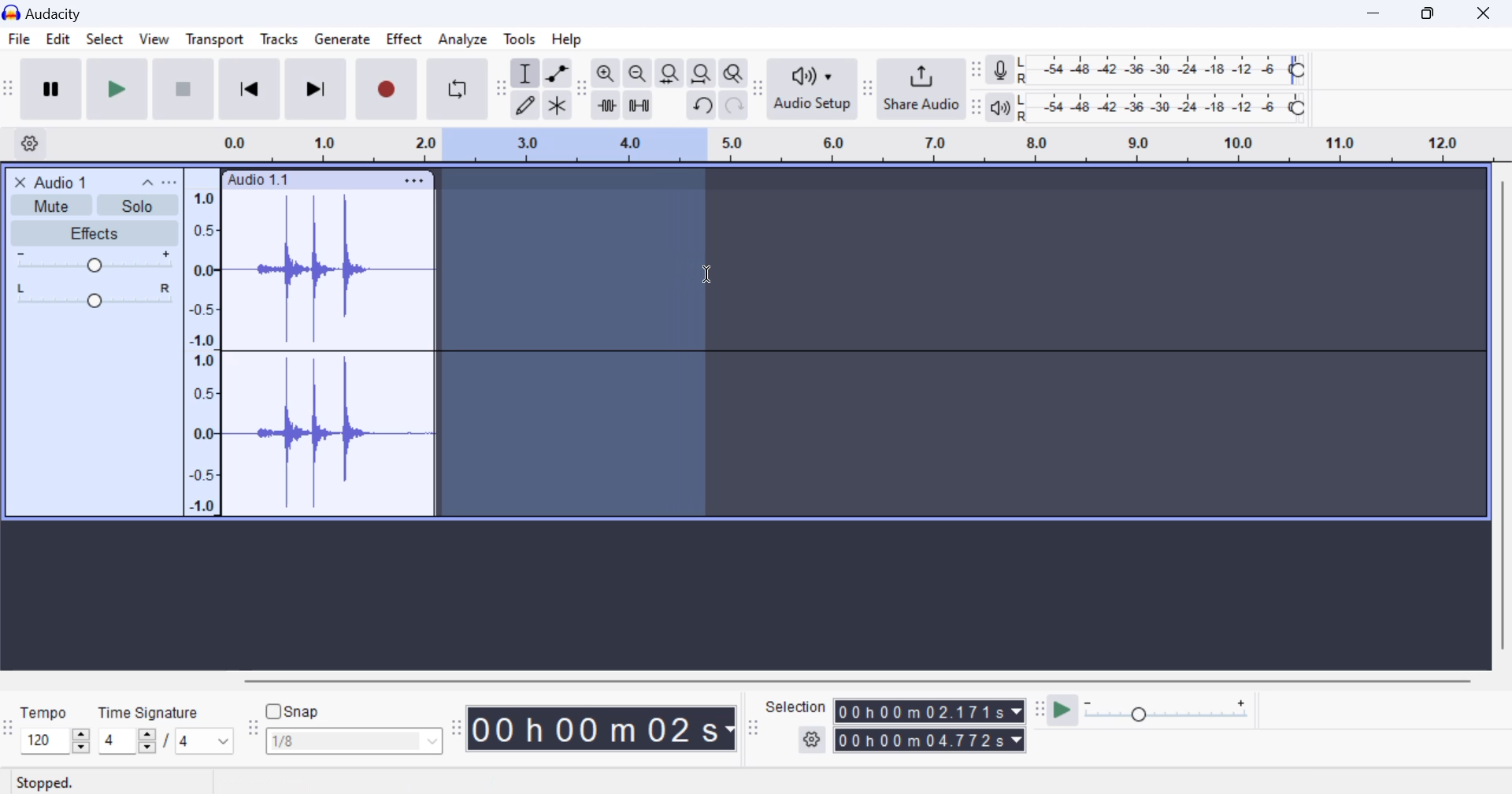 This screenshot has width=1512, height=794. Describe the element at coordinates (205, 742) in the screenshot. I see `Max time signature options` at that location.